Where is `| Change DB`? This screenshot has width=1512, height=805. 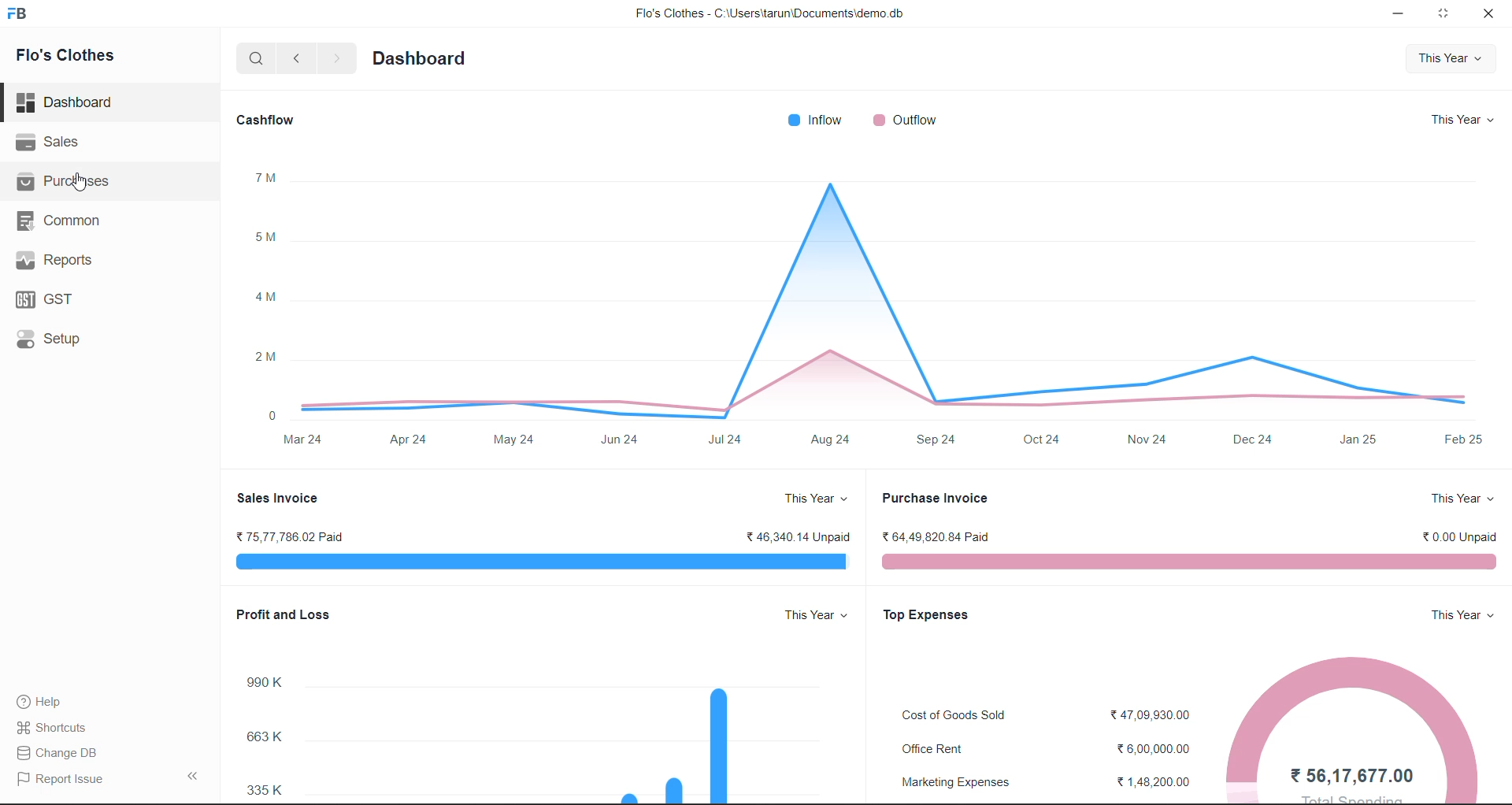
| Change DB is located at coordinates (61, 752).